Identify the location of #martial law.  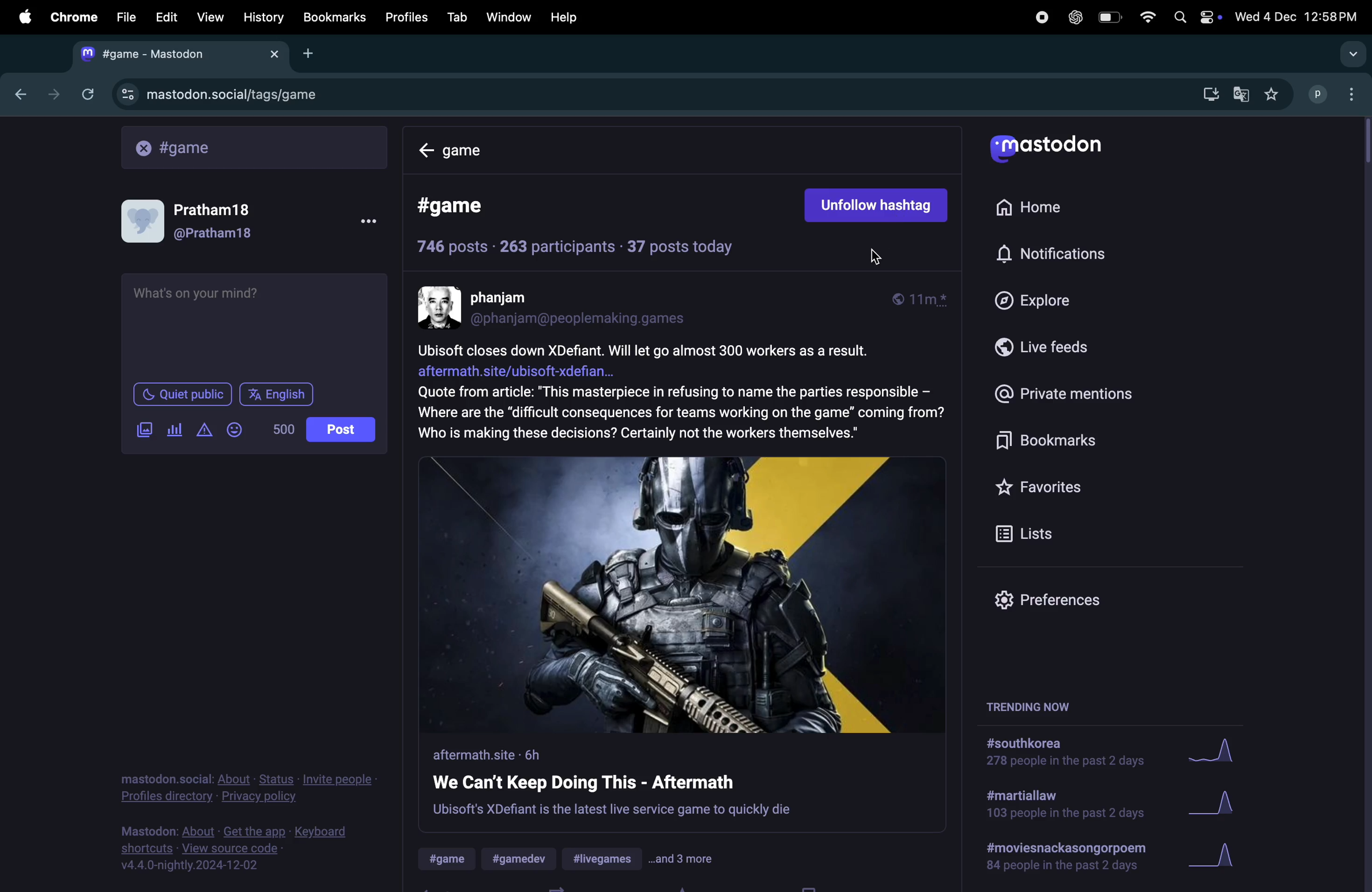
(1064, 807).